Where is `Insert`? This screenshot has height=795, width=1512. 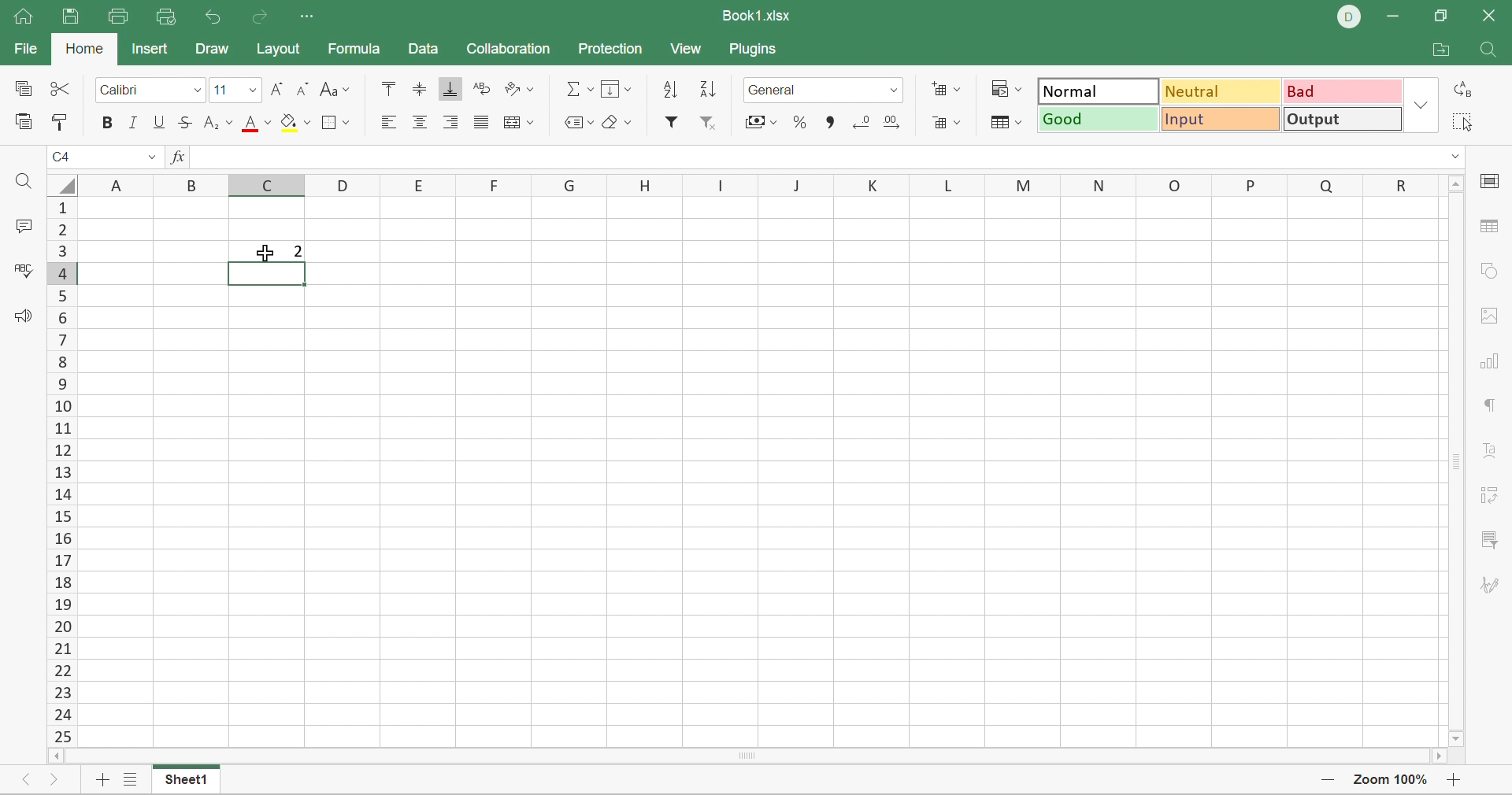 Insert is located at coordinates (154, 51).